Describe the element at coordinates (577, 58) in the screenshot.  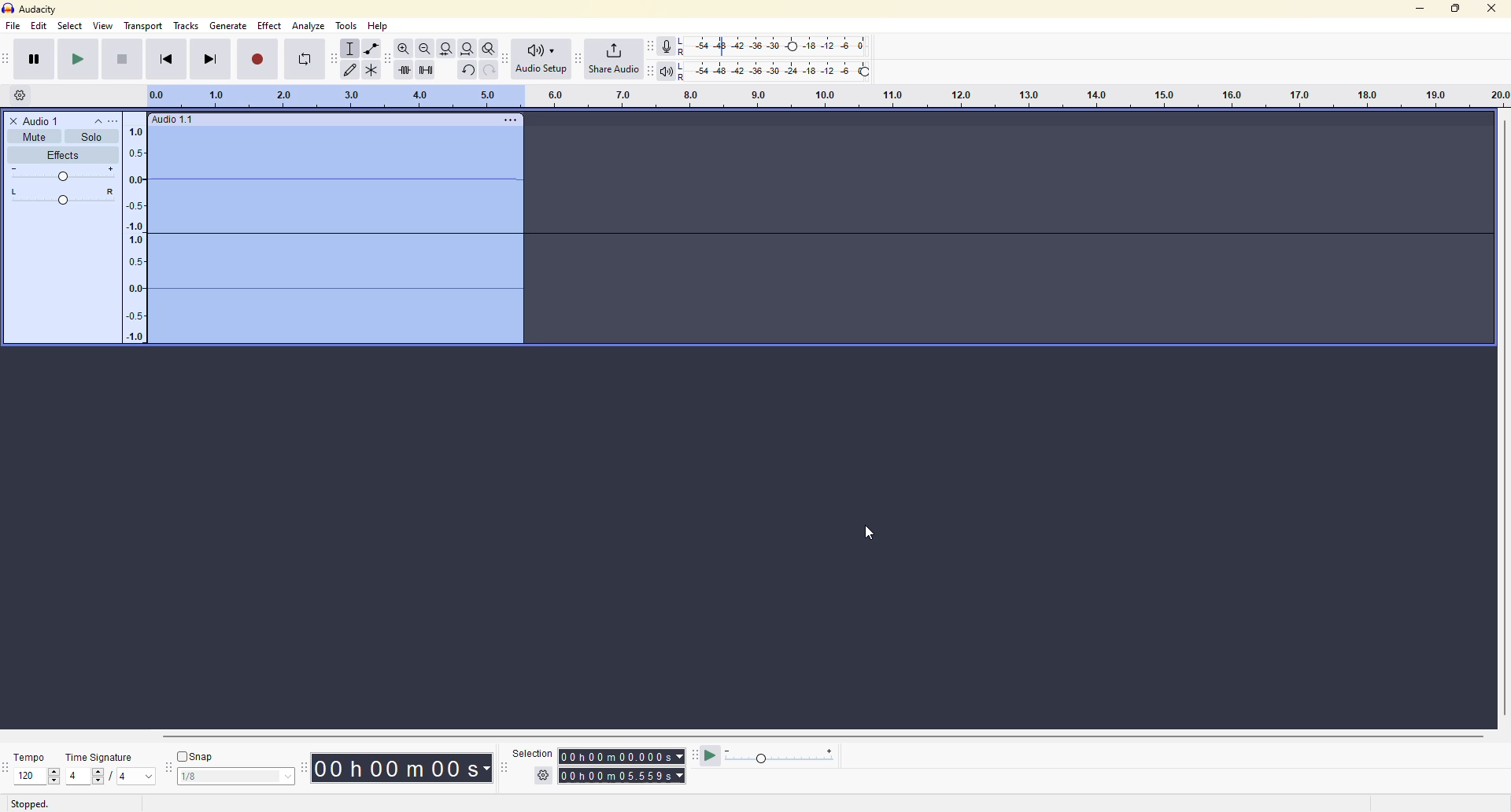
I see `share audio toolbar` at that location.